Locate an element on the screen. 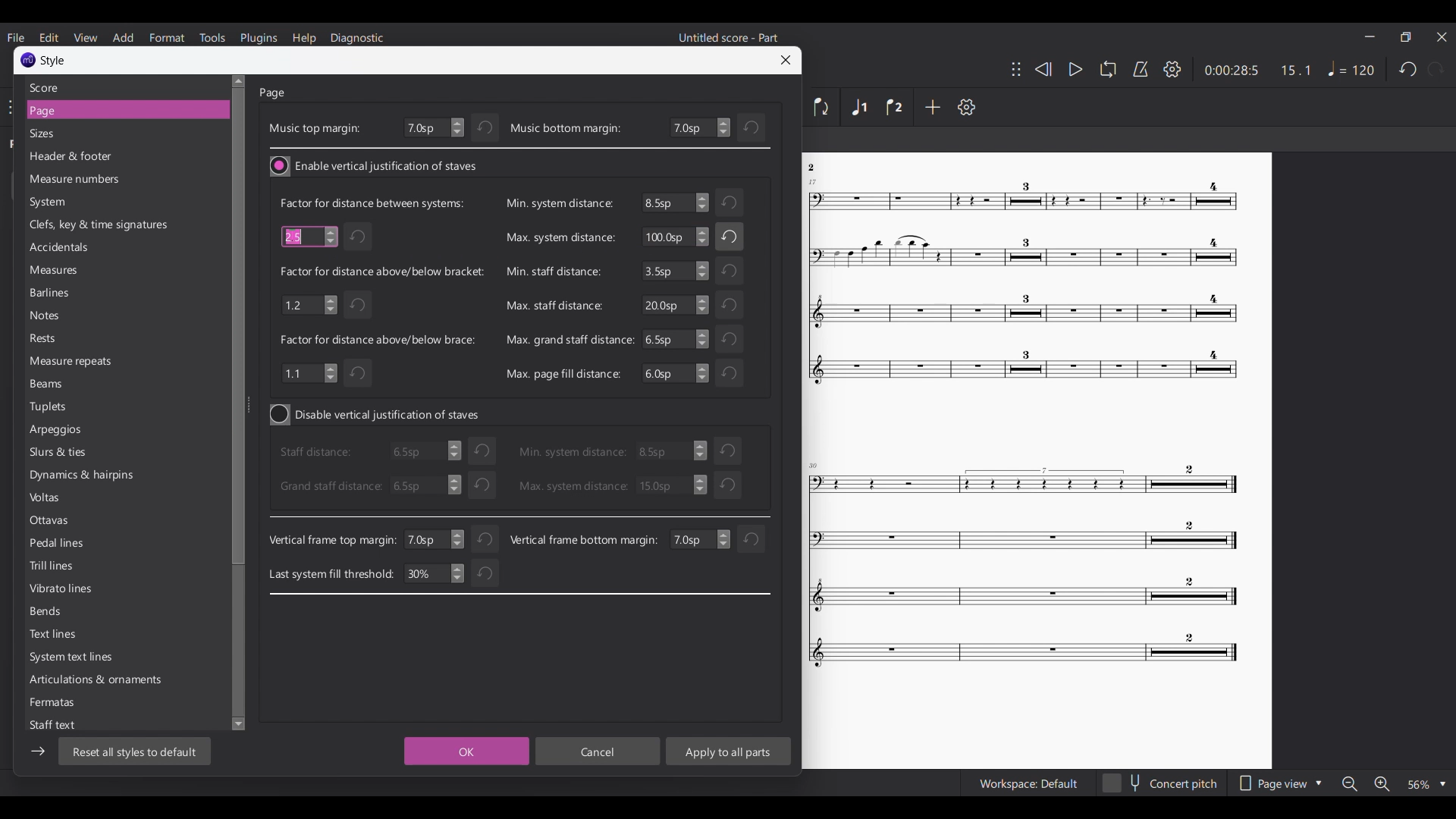  OK is located at coordinates (463, 752).